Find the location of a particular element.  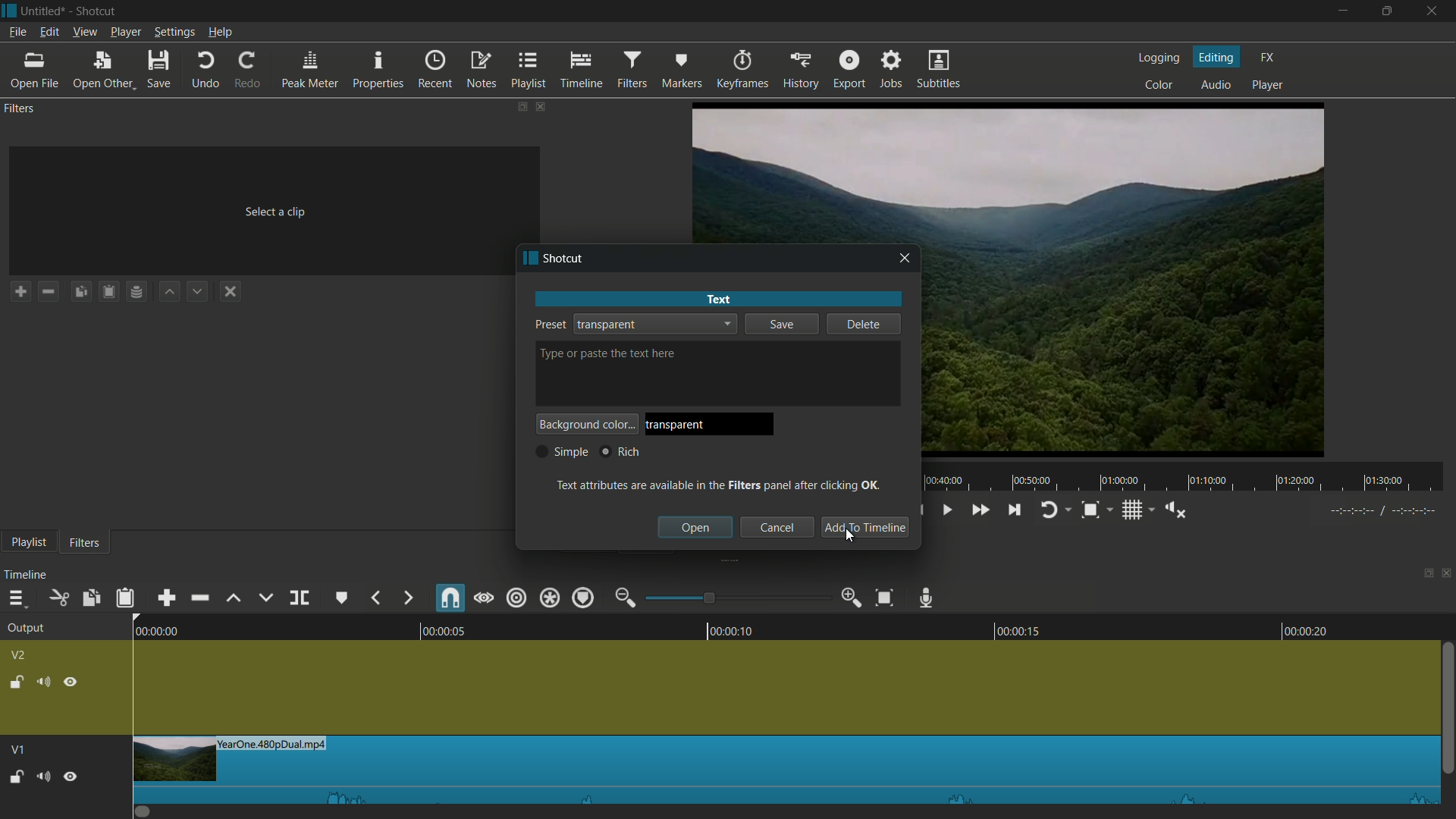

00:00:10 is located at coordinates (734, 629).